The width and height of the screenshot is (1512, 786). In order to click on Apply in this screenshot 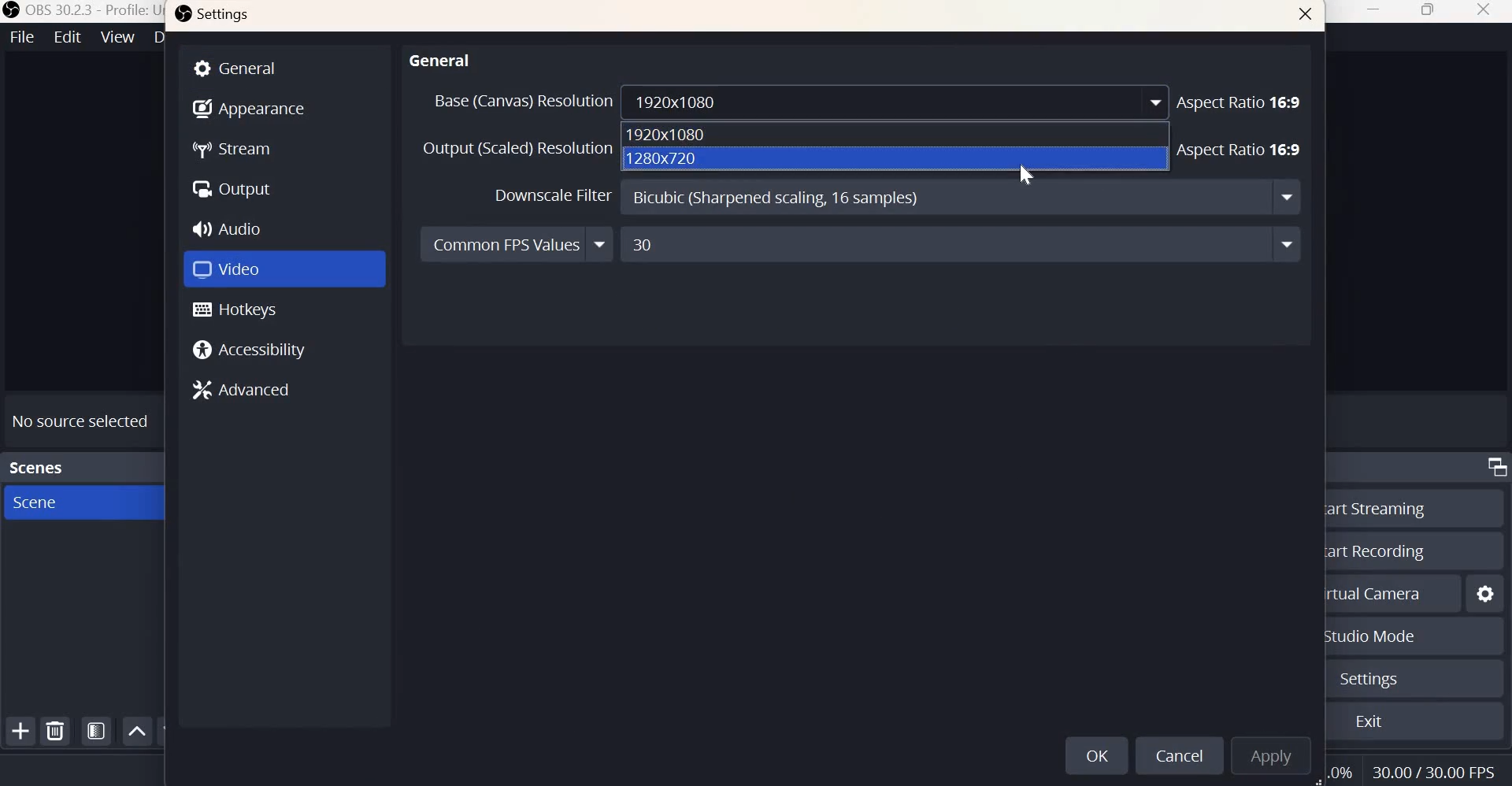, I will do `click(1271, 754)`.